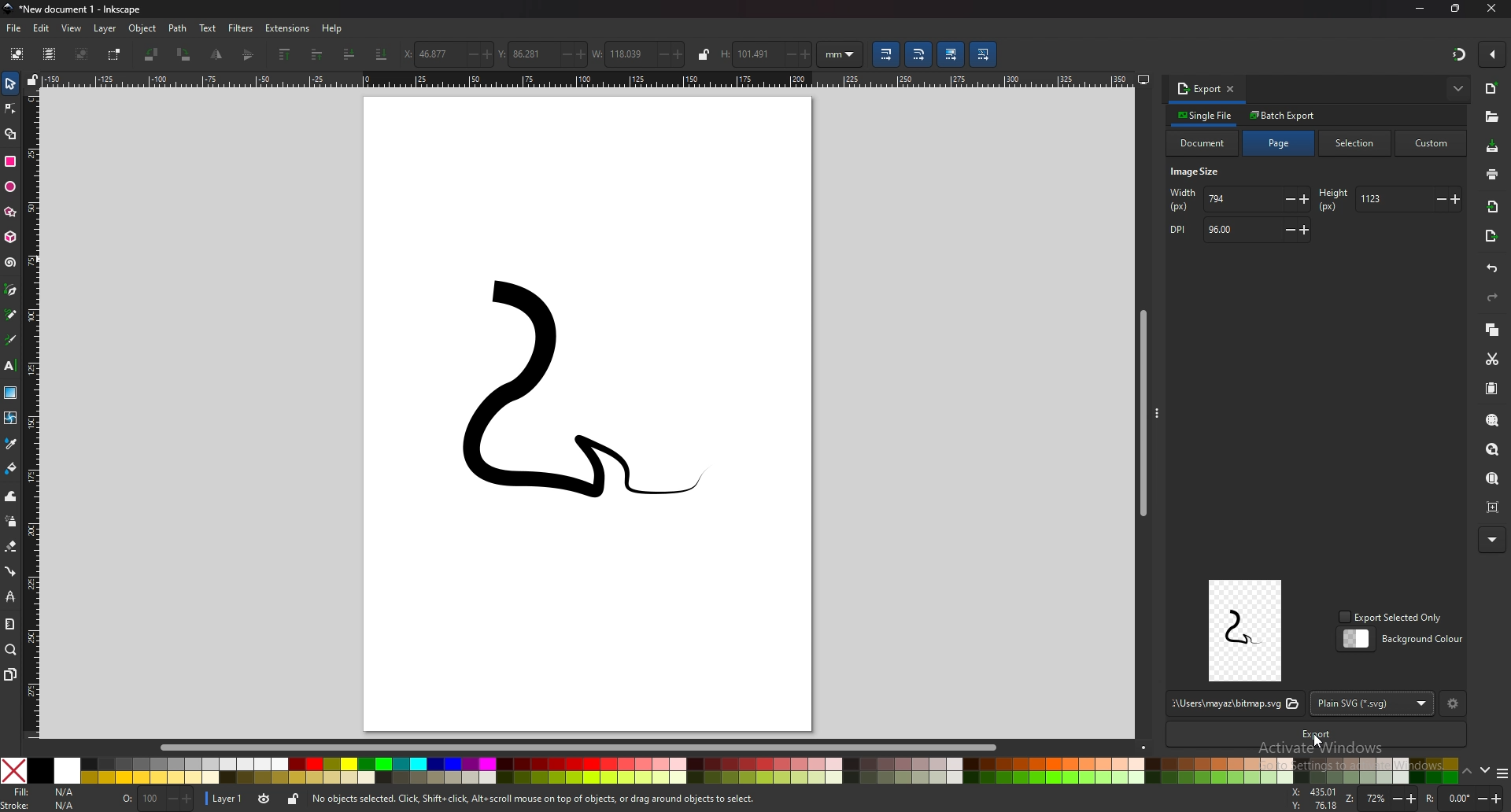  I want to click on move gradient, so click(951, 55).